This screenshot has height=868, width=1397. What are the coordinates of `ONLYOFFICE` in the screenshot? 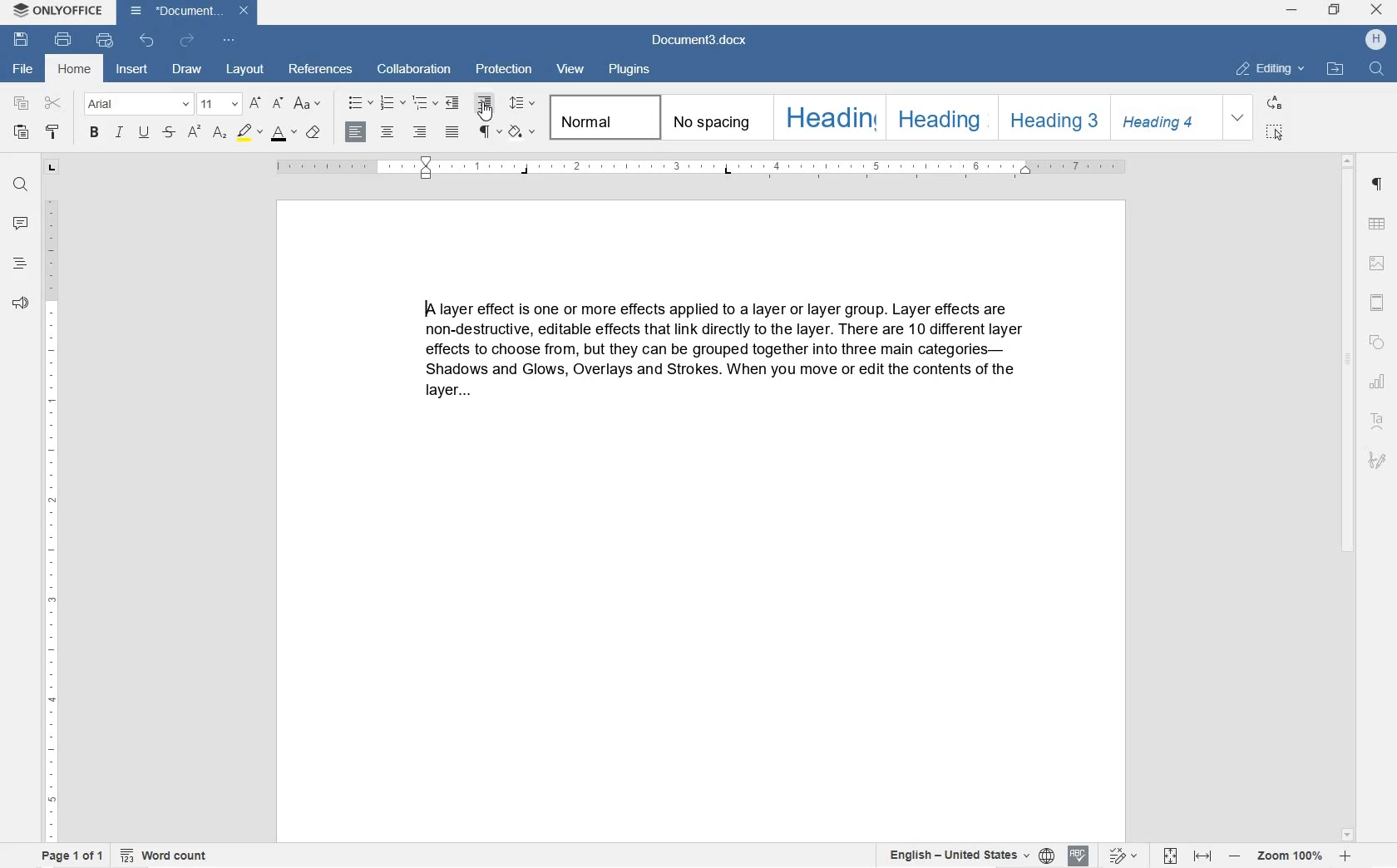 It's located at (57, 12).